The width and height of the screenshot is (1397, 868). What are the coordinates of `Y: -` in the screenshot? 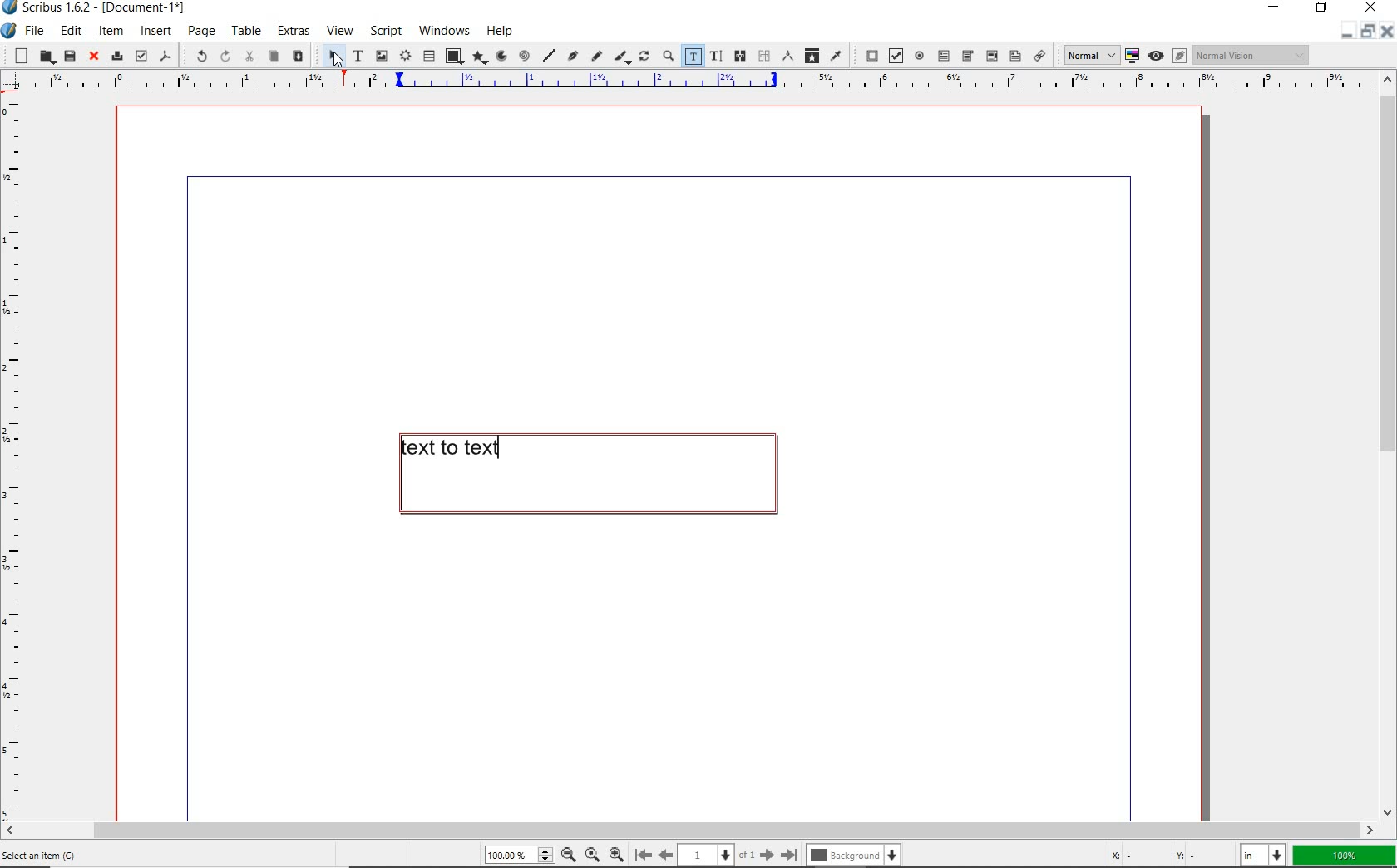 It's located at (1200, 855).